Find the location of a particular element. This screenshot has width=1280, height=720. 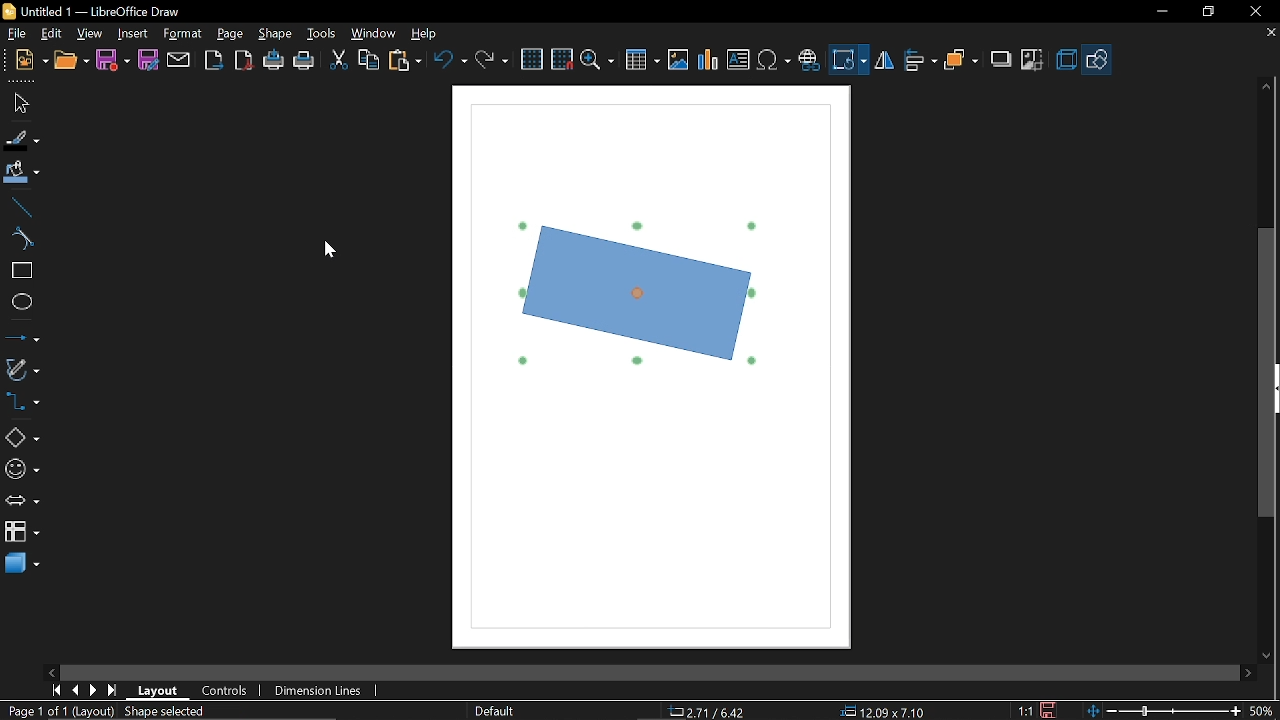

View is located at coordinates (91, 33).